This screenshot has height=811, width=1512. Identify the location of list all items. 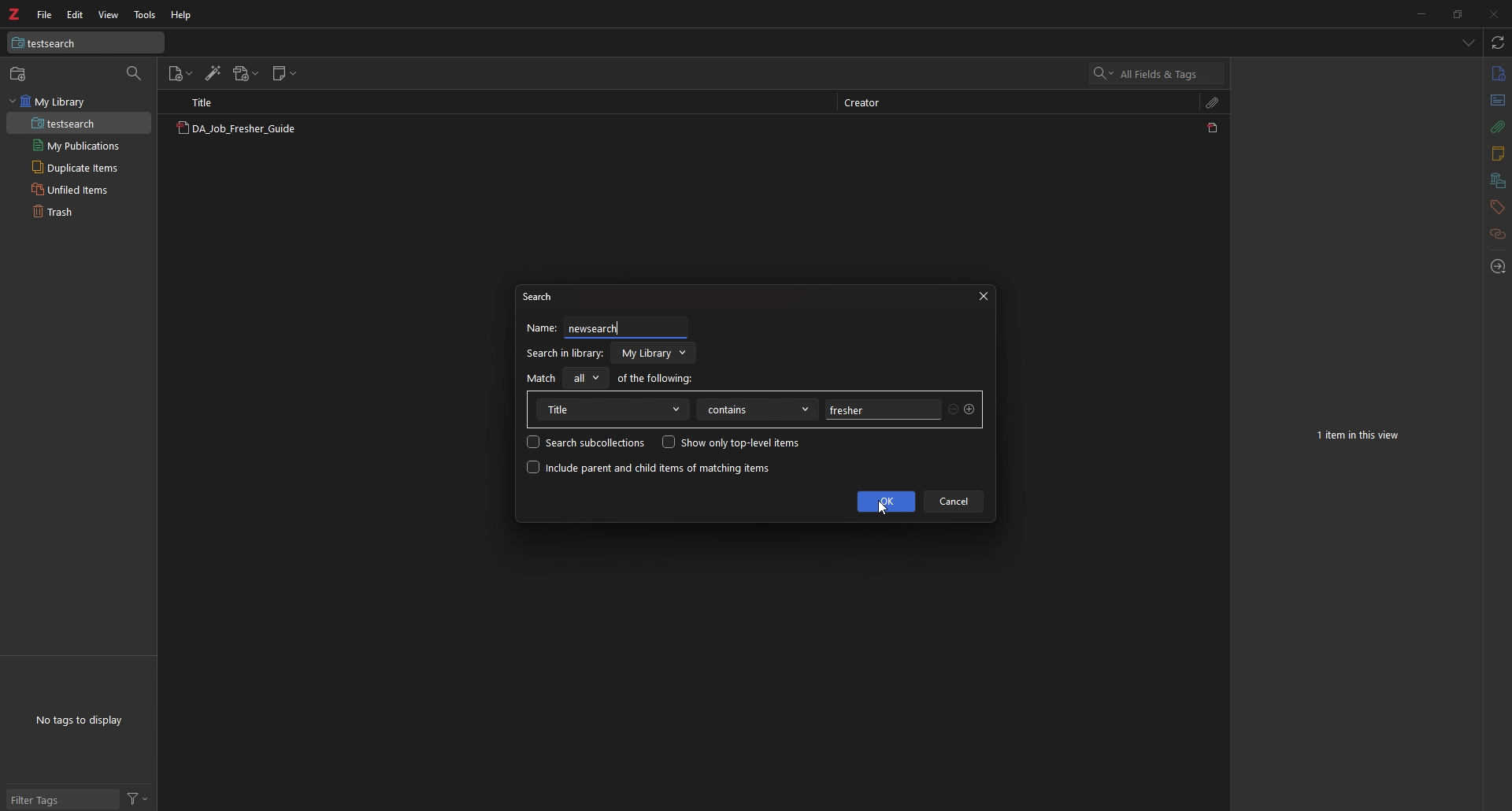
(1469, 42).